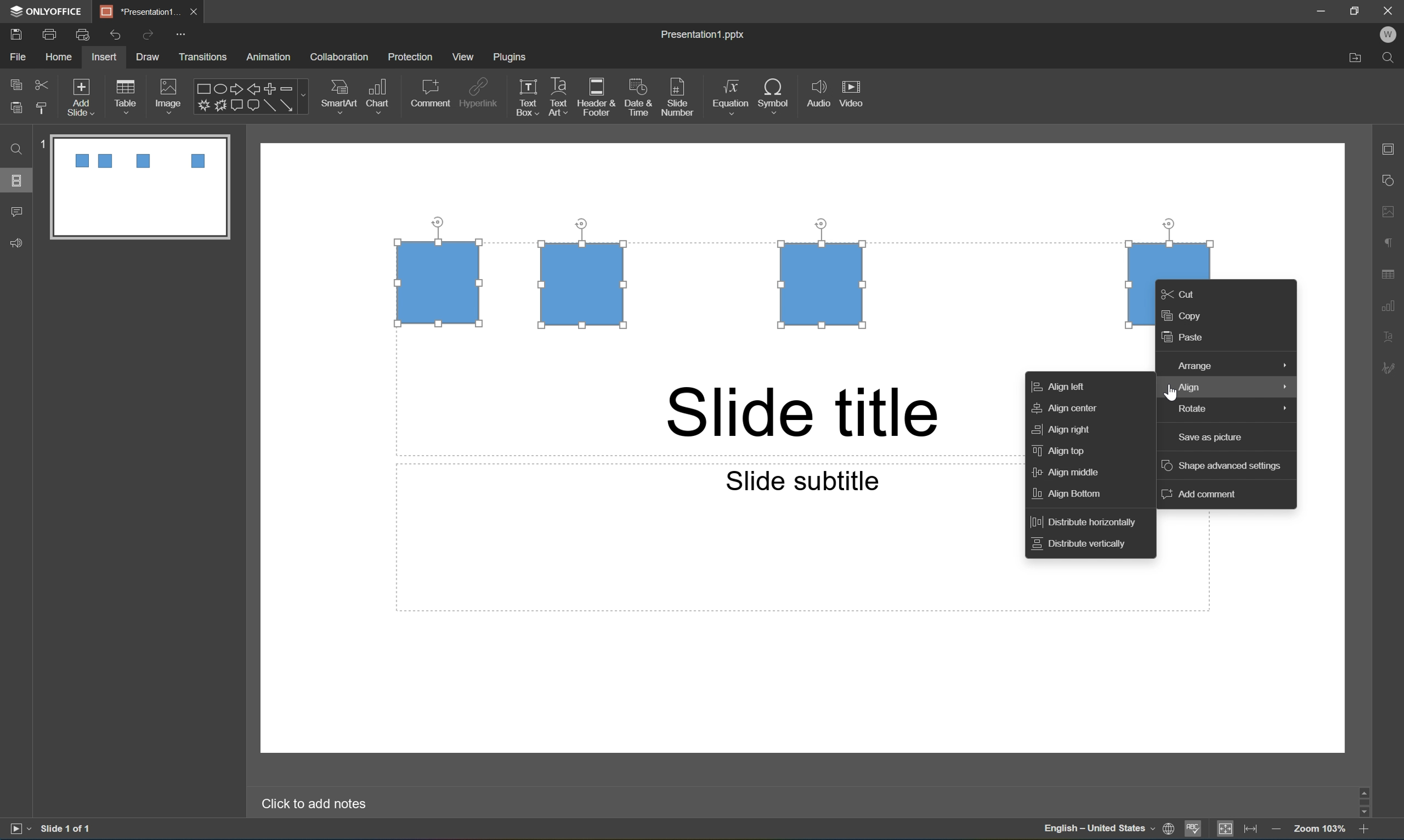 This screenshot has height=840, width=1404. What do you see at coordinates (1067, 409) in the screenshot?
I see `align center` at bounding box center [1067, 409].